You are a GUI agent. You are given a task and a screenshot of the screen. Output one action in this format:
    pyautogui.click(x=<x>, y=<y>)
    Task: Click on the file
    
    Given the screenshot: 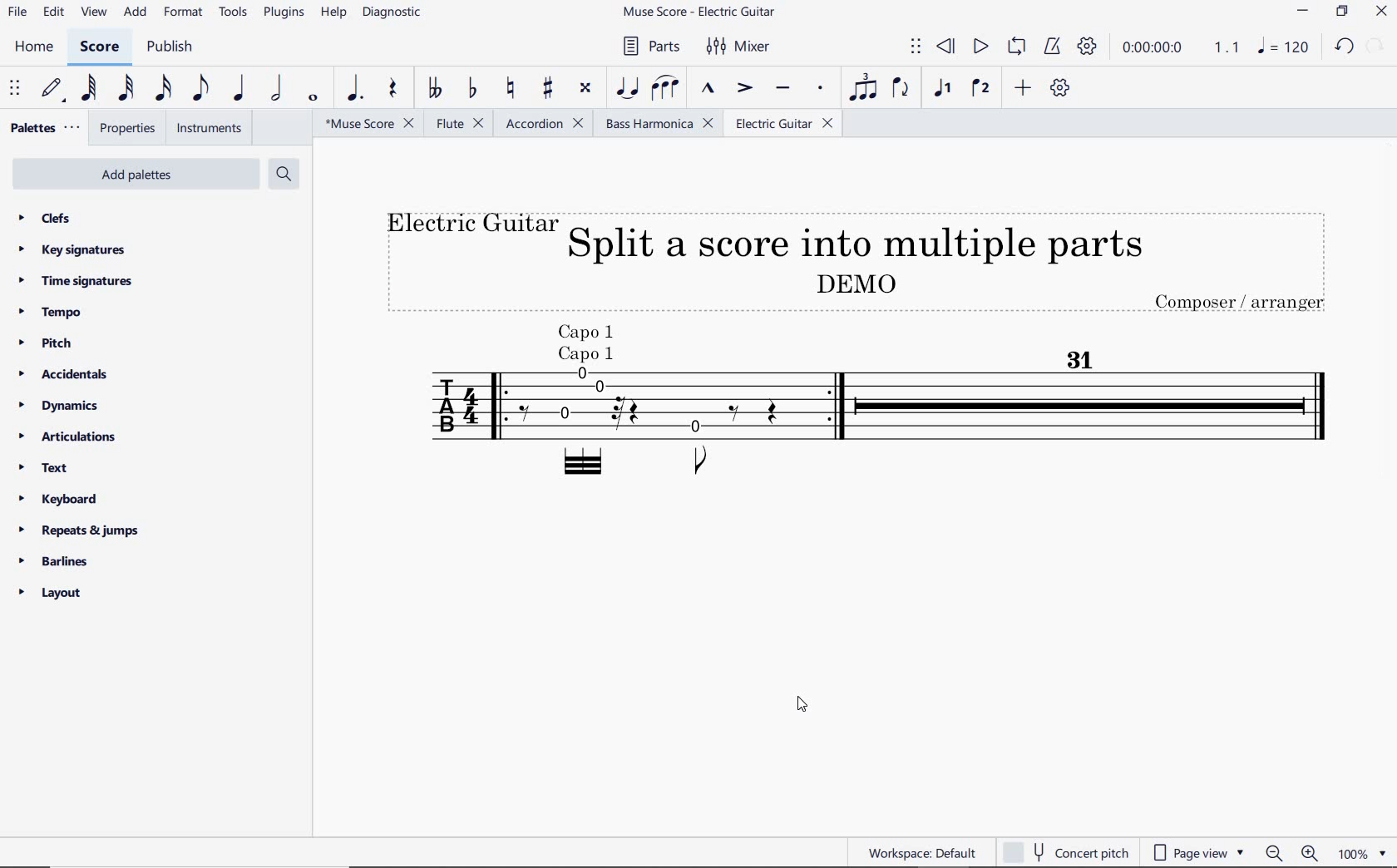 What is the action you would take?
    pyautogui.click(x=17, y=12)
    